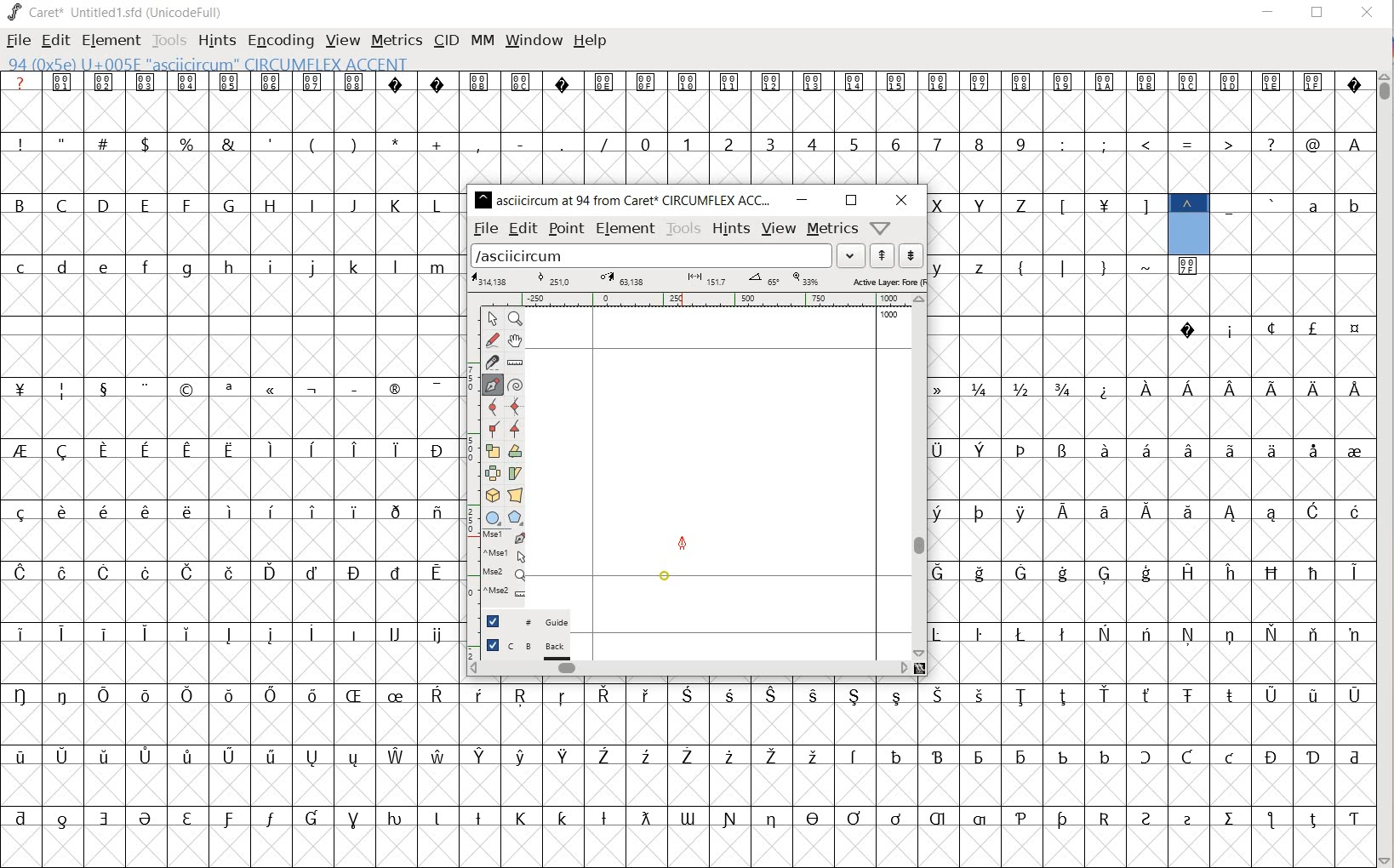 The width and height of the screenshot is (1394, 868). I want to click on scrollbar, so click(687, 667).